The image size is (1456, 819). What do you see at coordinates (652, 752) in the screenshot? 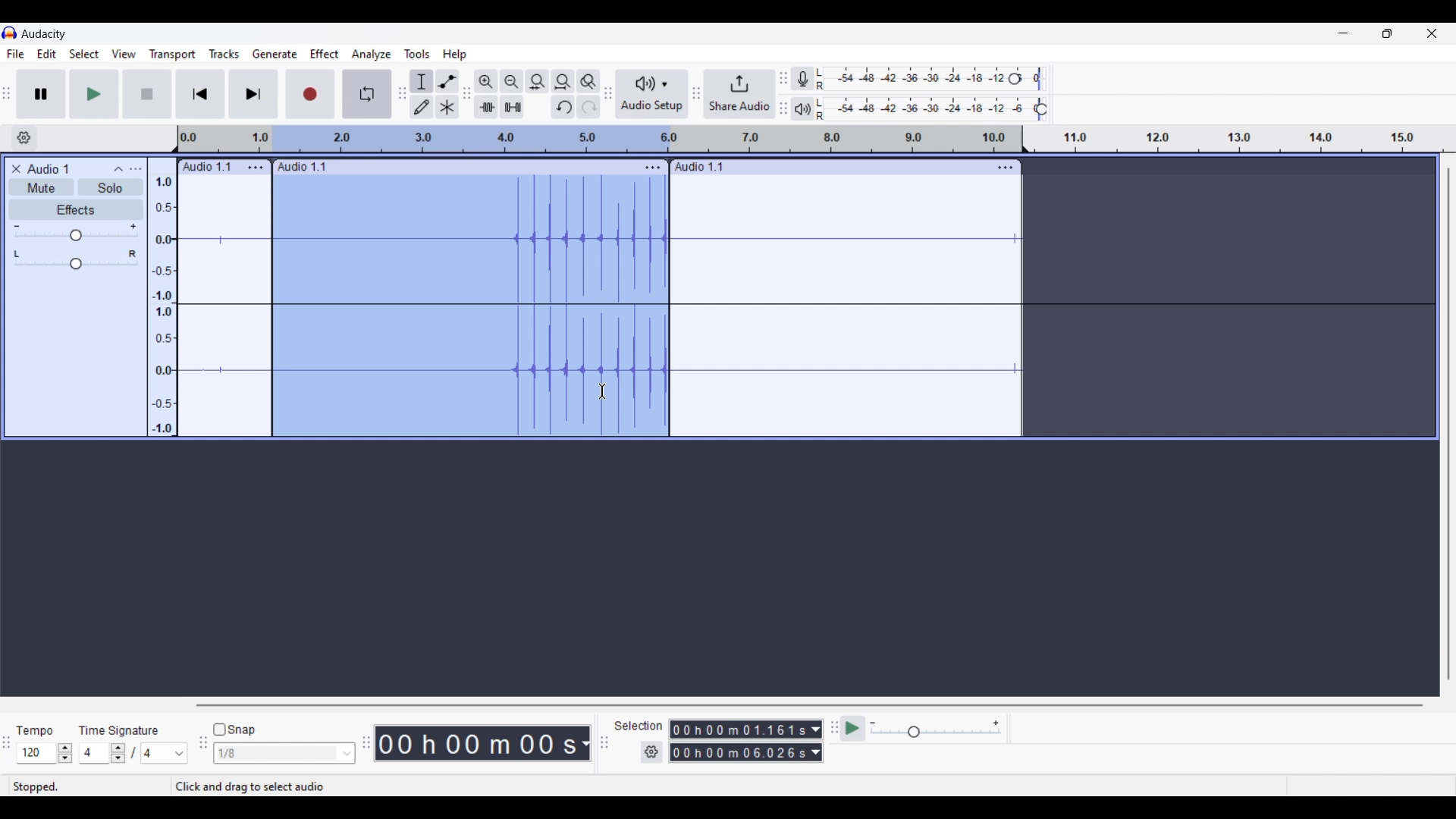
I see `Selection settings` at bounding box center [652, 752].